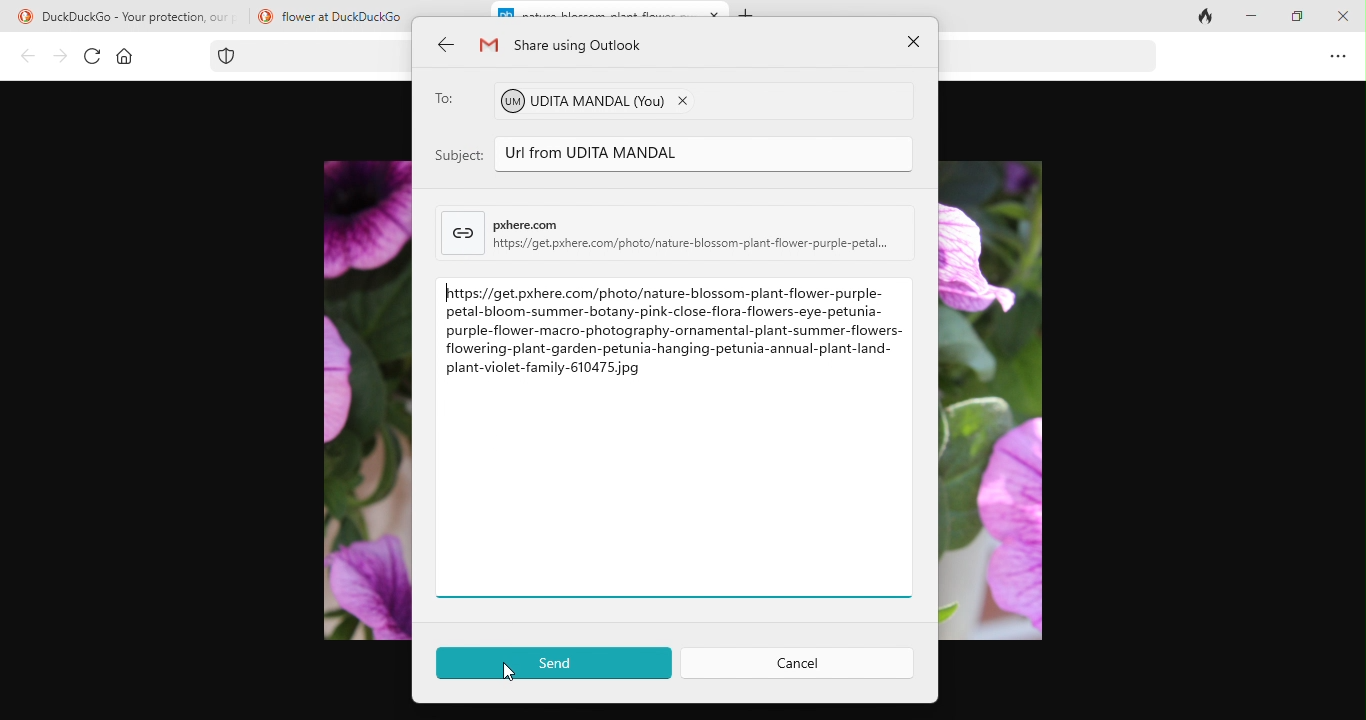 The width and height of the screenshot is (1366, 720). I want to click on gmail logo, so click(490, 46).